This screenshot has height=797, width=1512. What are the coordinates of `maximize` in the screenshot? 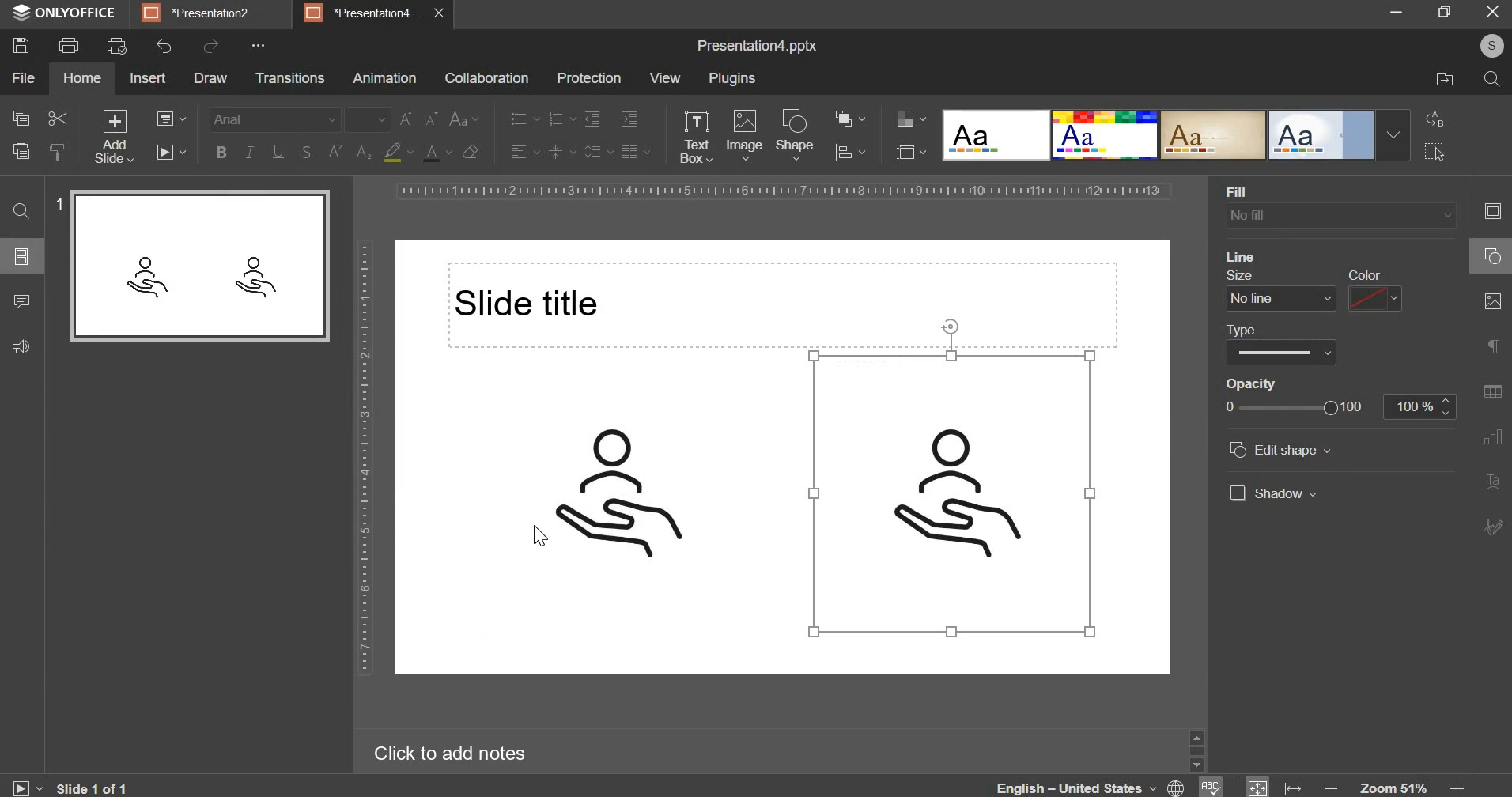 It's located at (1446, 11).